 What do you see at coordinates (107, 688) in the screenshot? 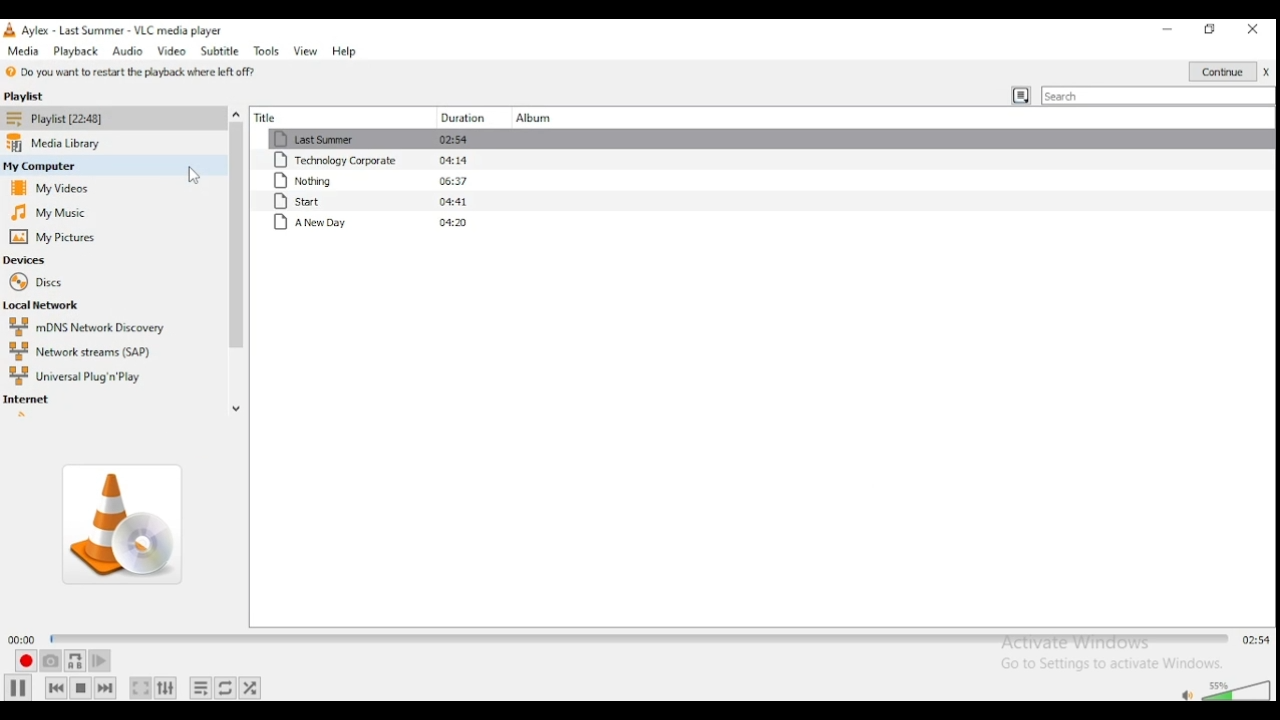
I see `next media in playlist, skips forward when held` at bounding box center [107, 688].